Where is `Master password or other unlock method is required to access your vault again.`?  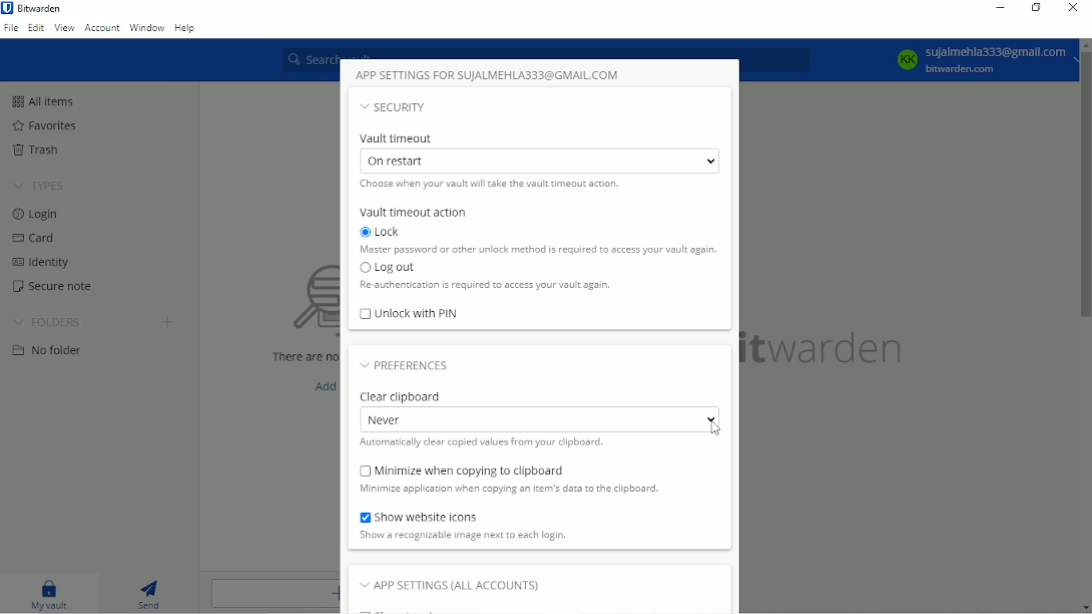
Master password or other unlock method is required to access your vault again. is located at coordinates (540, 250).